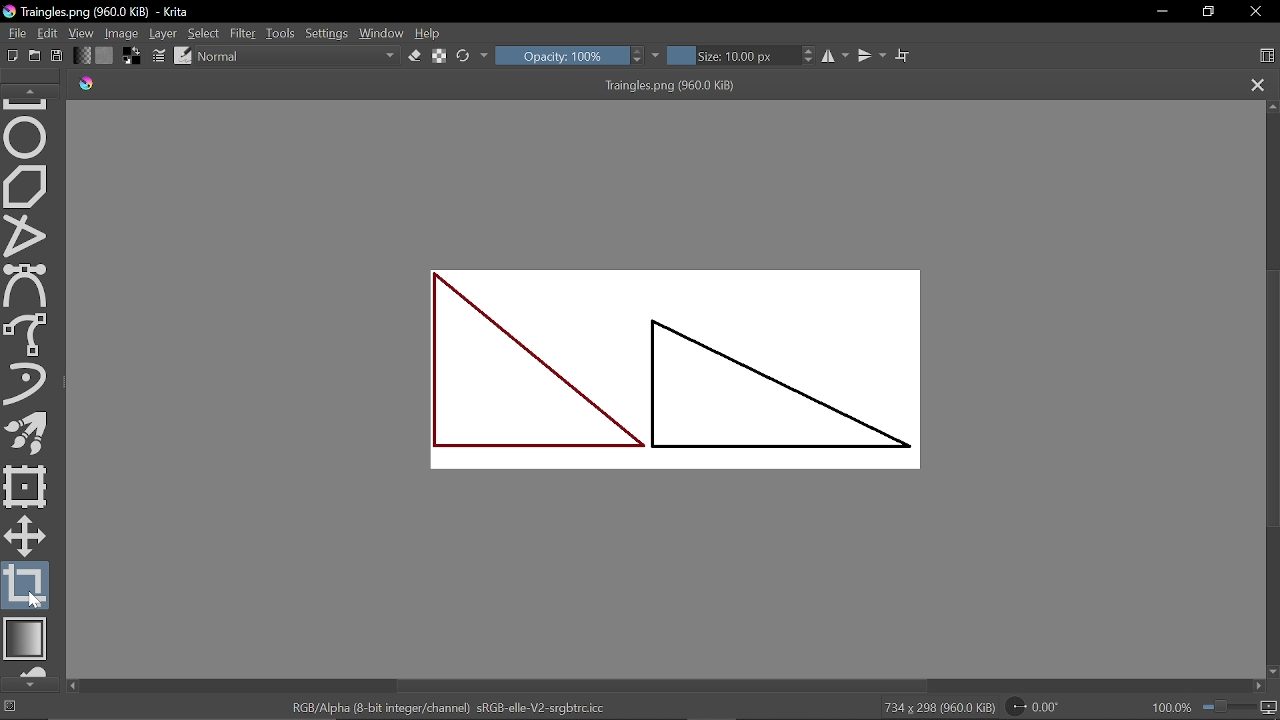  I want to click on Move a layer, so click(23, 534).